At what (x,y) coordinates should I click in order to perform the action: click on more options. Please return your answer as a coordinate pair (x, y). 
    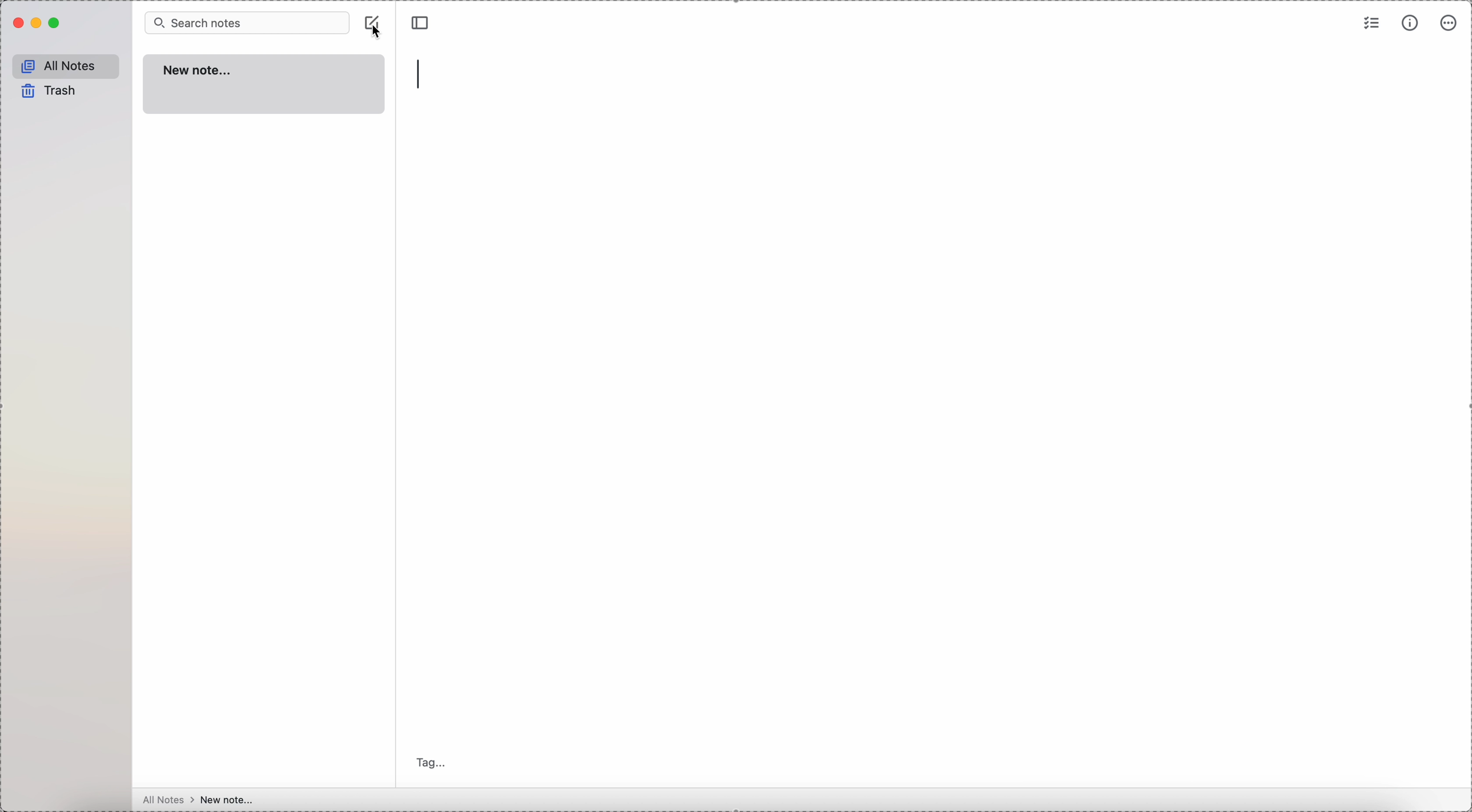
    Looking at the image, I should click on (1450, 23).